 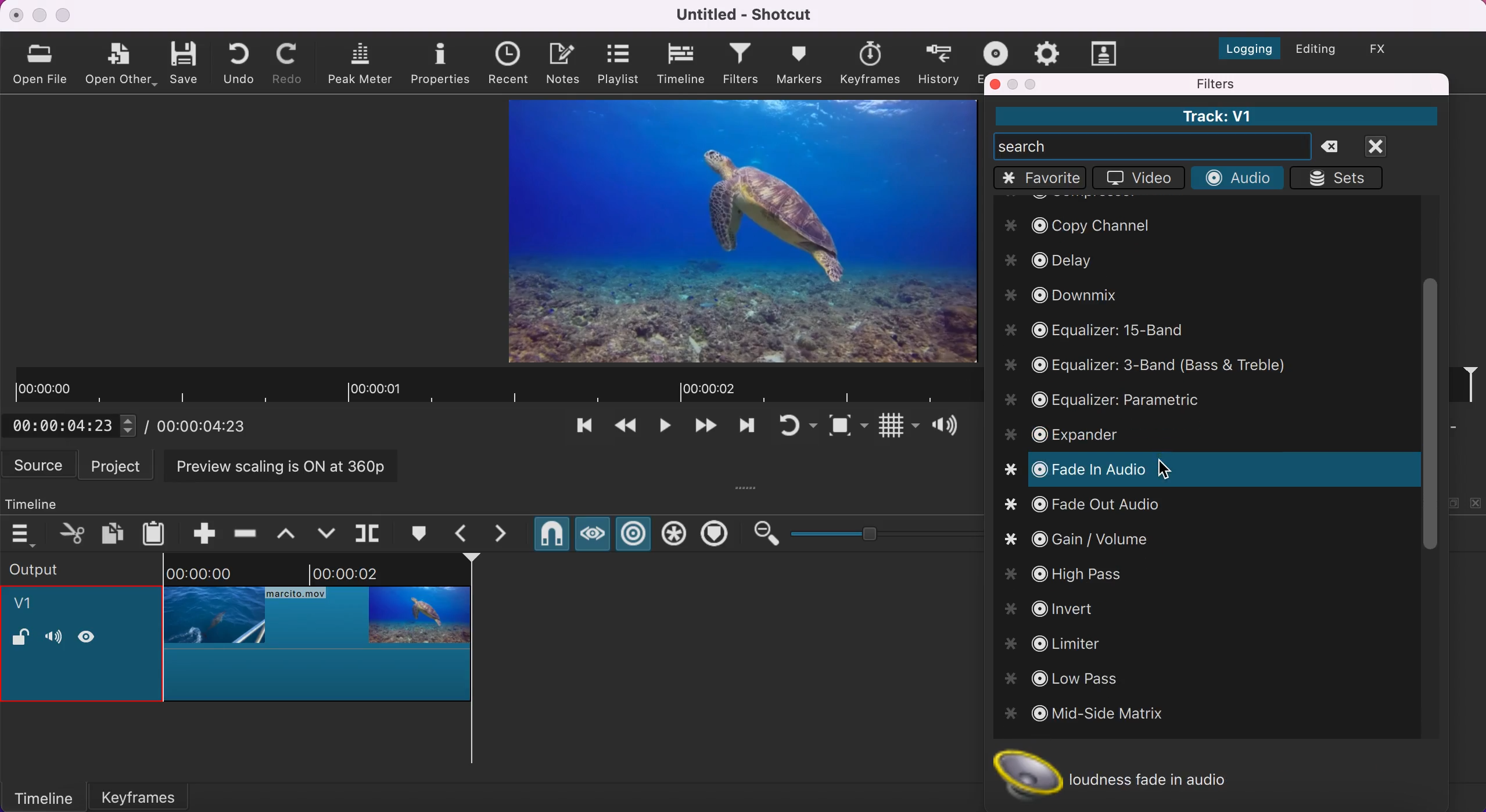 What do you see at coordinates (580, 429) in the screenshot?
I see `skip to the previous point` at bounding box center [580, 429].